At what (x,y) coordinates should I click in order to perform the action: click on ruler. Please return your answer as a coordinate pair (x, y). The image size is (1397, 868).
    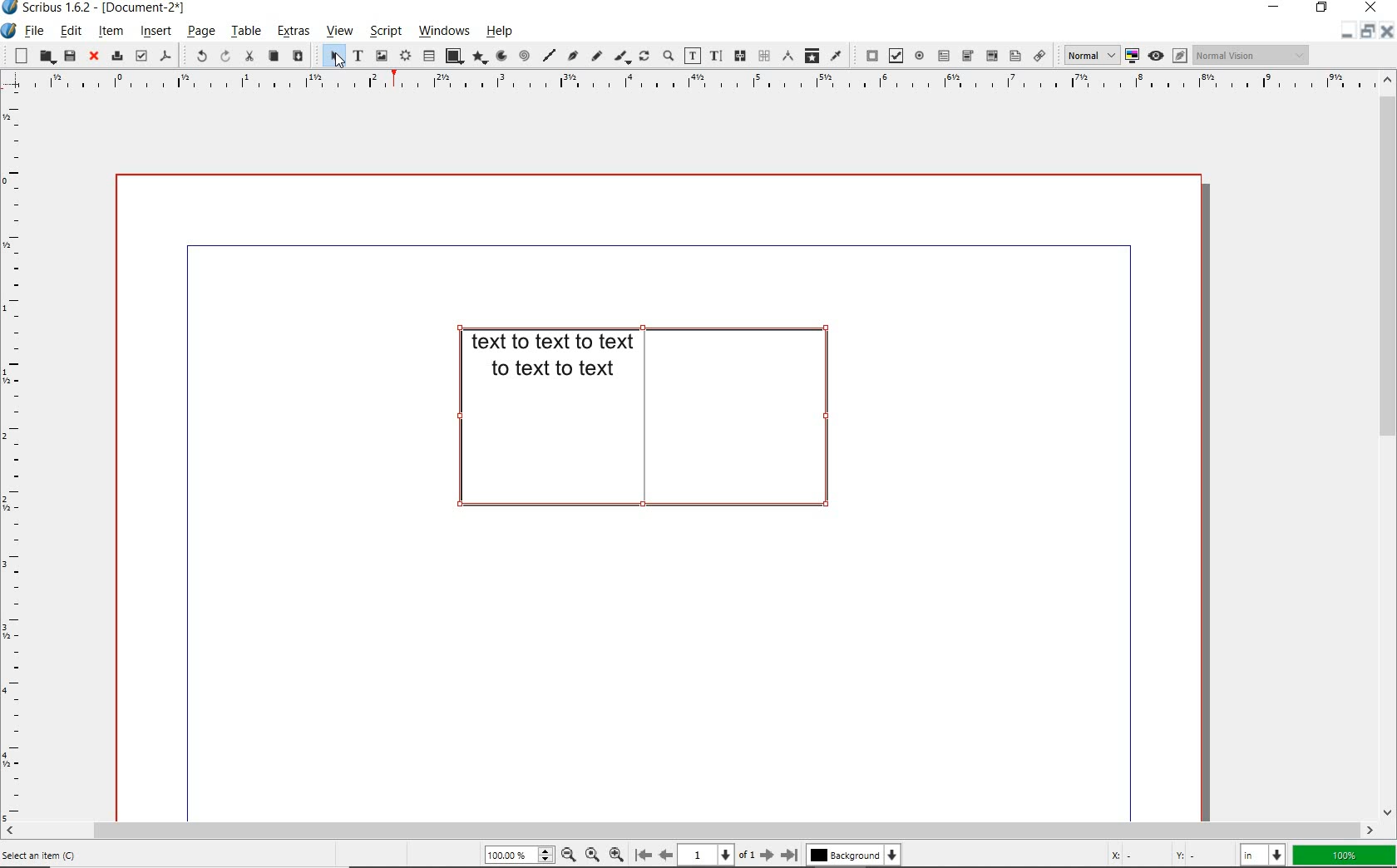
    Looking at the image, I should click on (700, 83).